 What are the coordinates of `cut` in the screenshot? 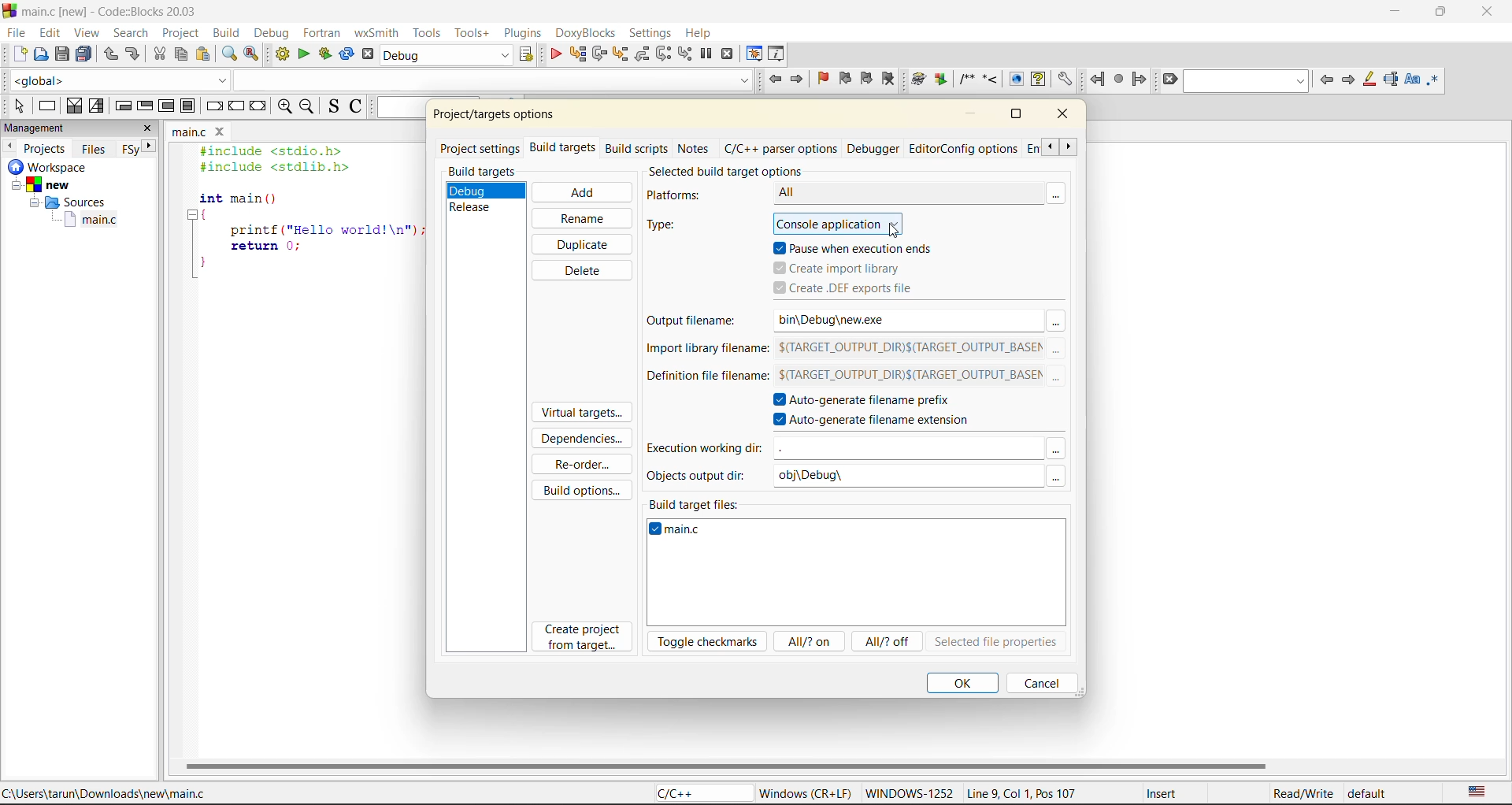 It's located at (158, 54).